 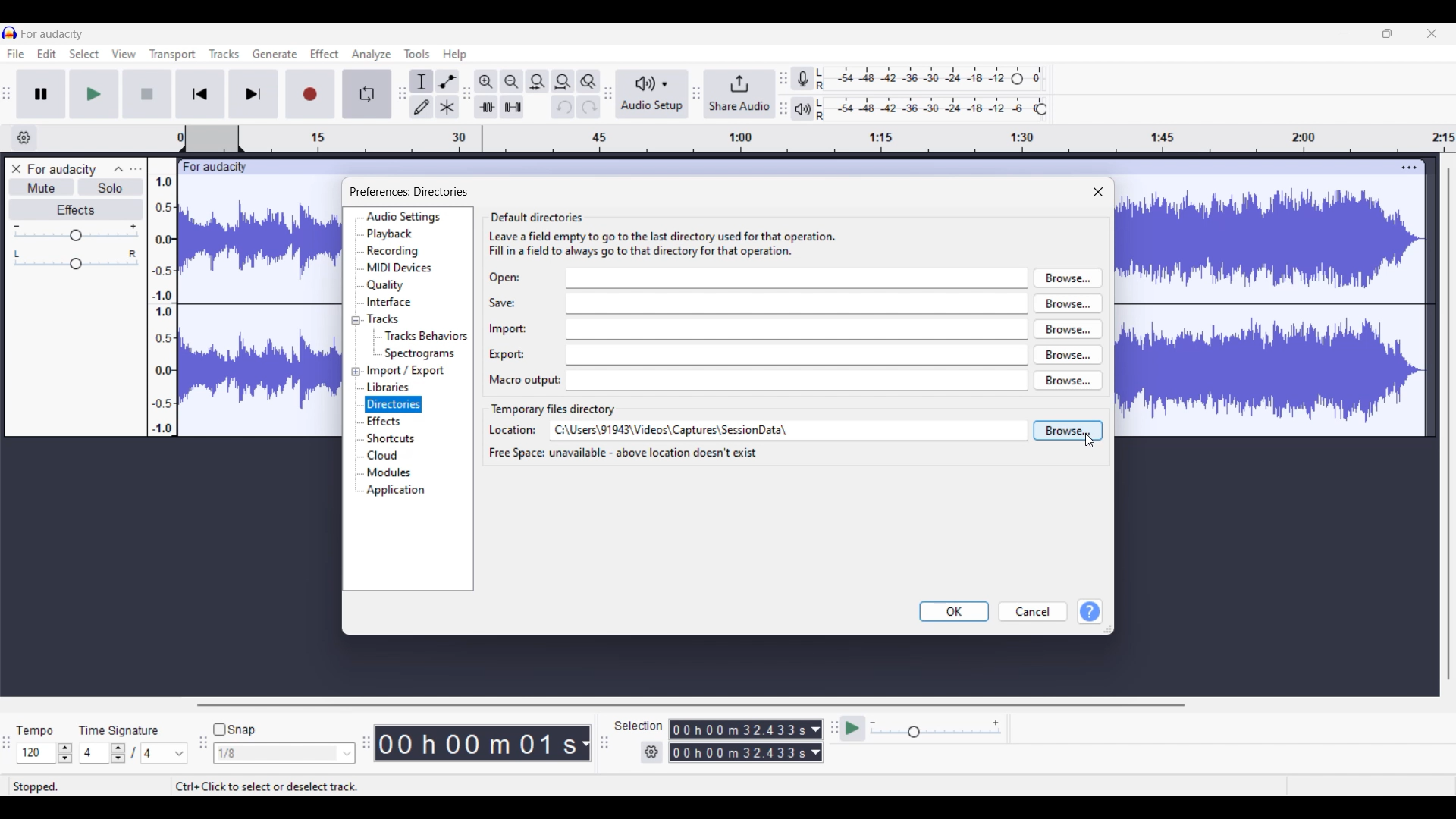 What do you see at coordinates (390, 302) in the screenshot?
I see `Interface` at bounding box center [390, 302].